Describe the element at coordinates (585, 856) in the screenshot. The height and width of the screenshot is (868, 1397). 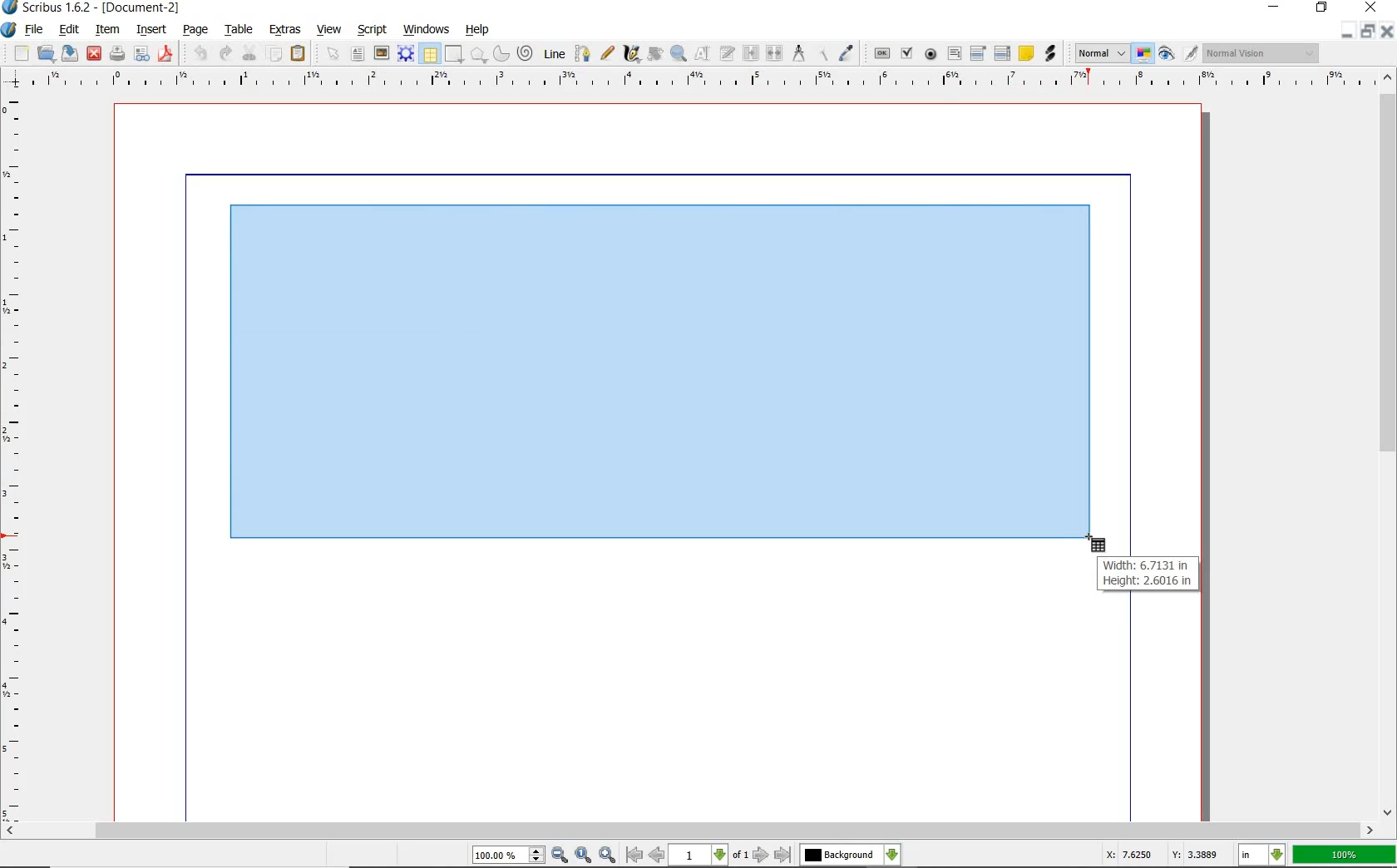
I see `zoom to` at that location.